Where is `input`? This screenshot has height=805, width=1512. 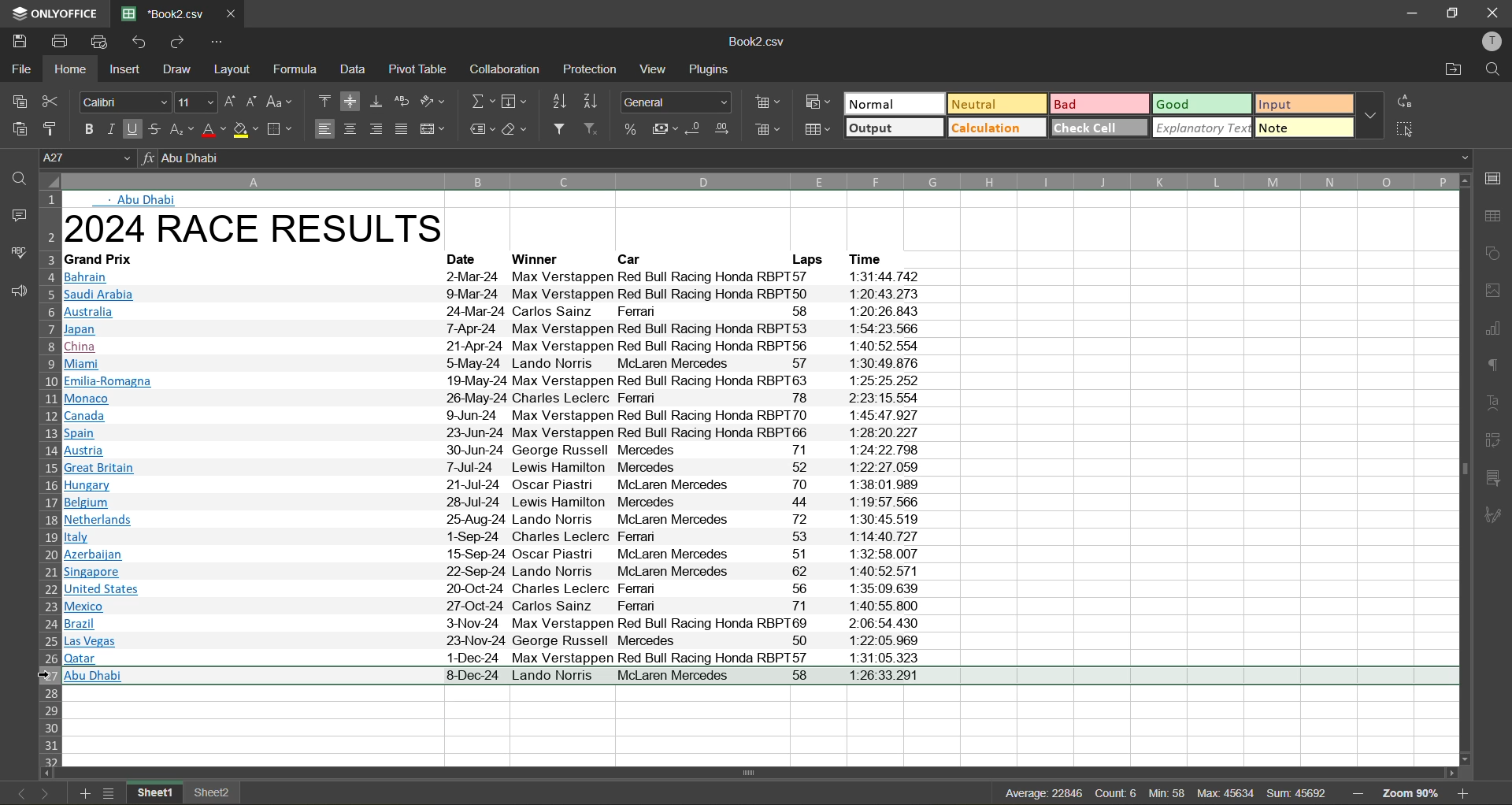
input is located at coordinates (1303, 103).